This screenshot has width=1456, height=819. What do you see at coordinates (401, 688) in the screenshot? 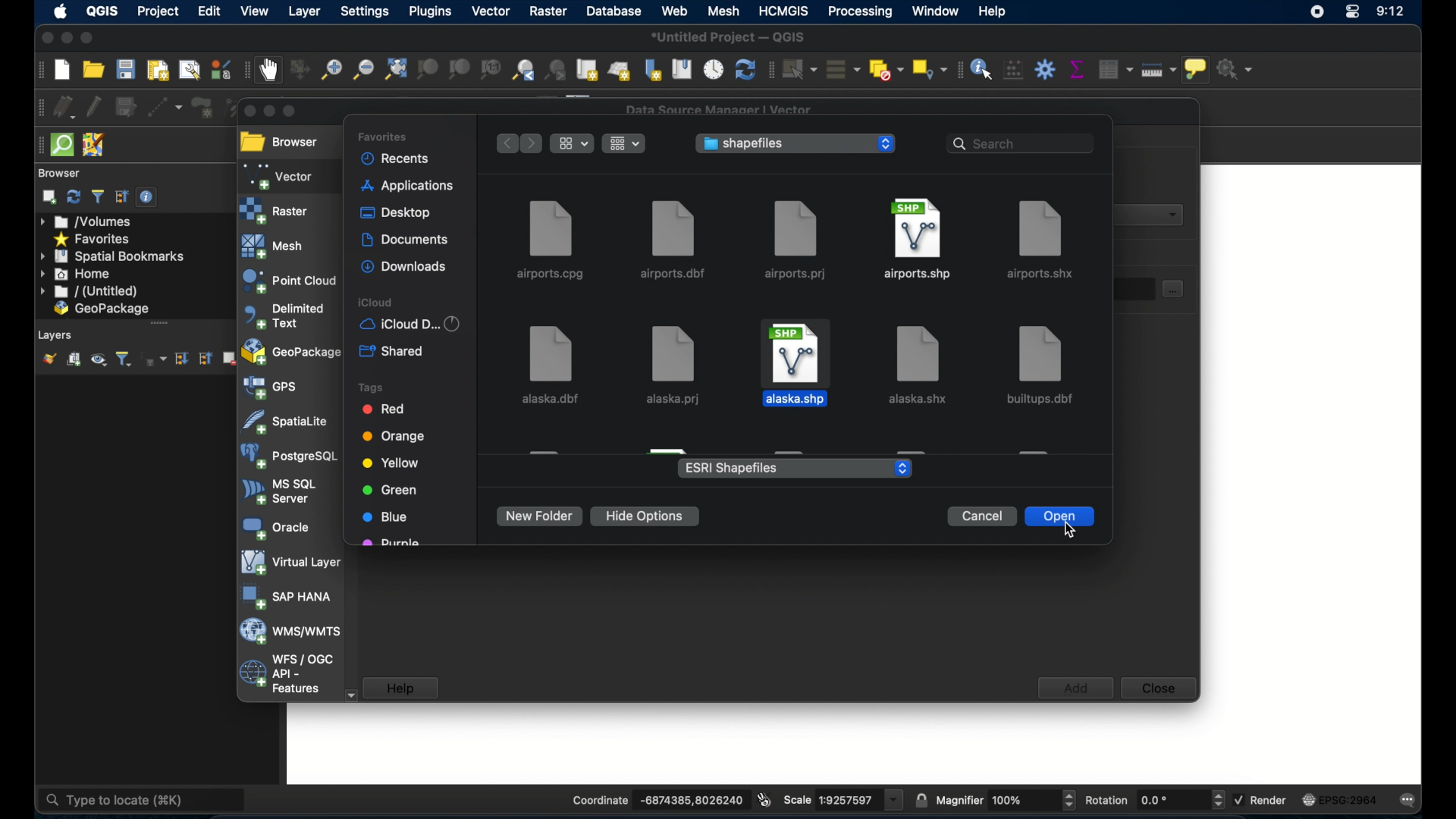
I see `help` at bounding box center [401, 688].